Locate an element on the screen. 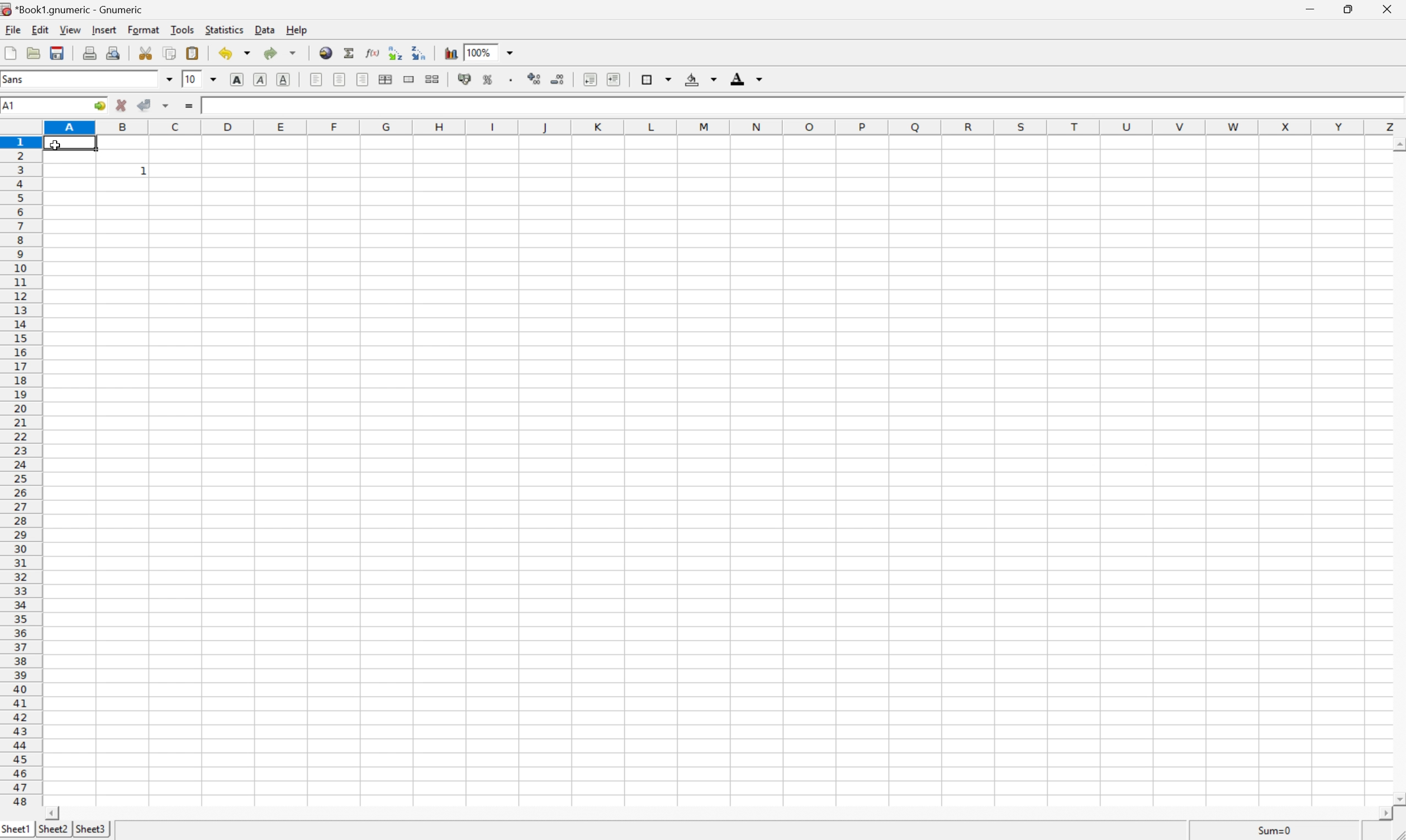 The width and height of the screenshot is (1406, 840). scroll up is located at coordinates (1397, 147).